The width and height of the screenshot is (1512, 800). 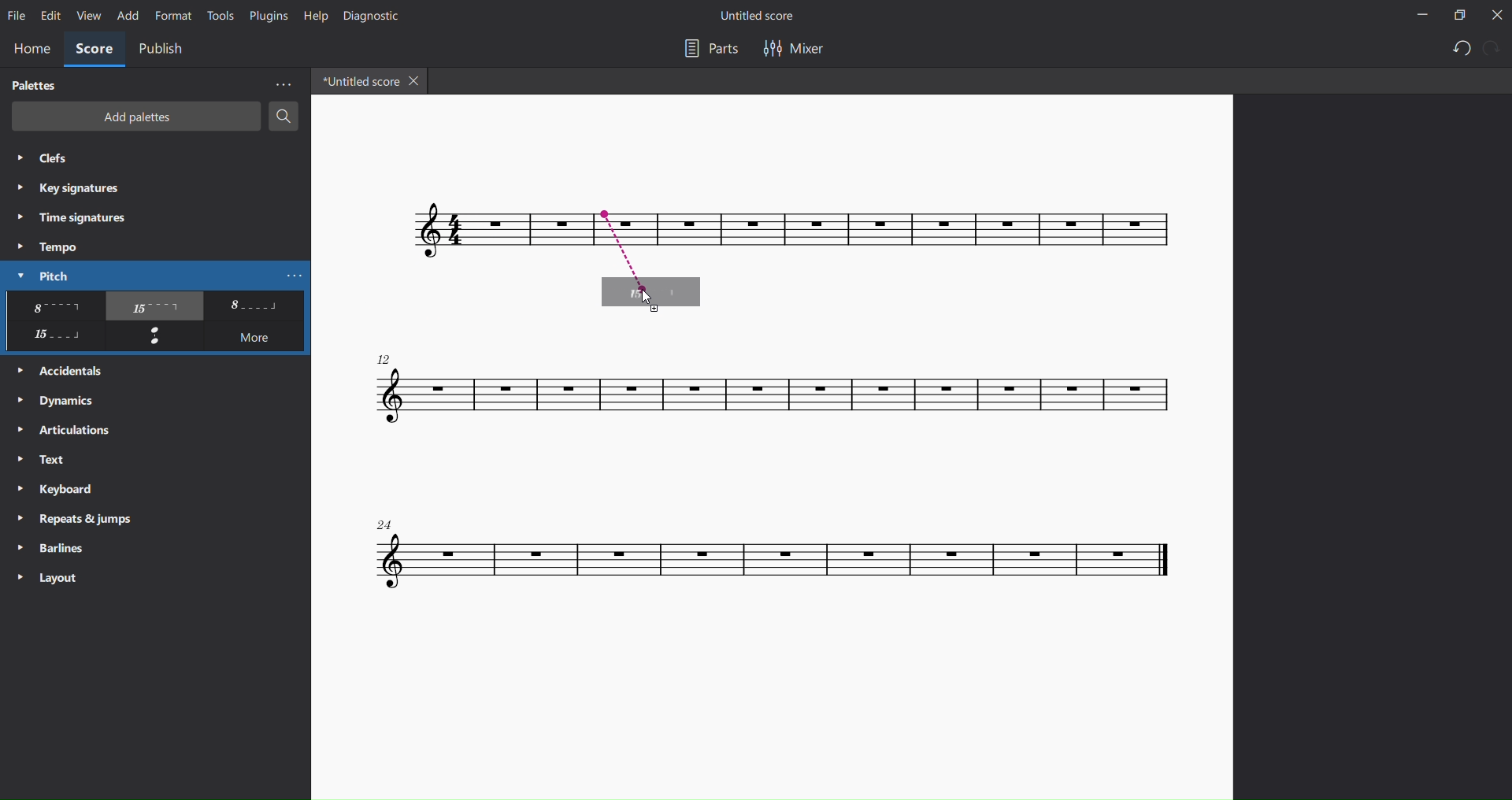 I want to click on articulation, so click(x=70, y=431).